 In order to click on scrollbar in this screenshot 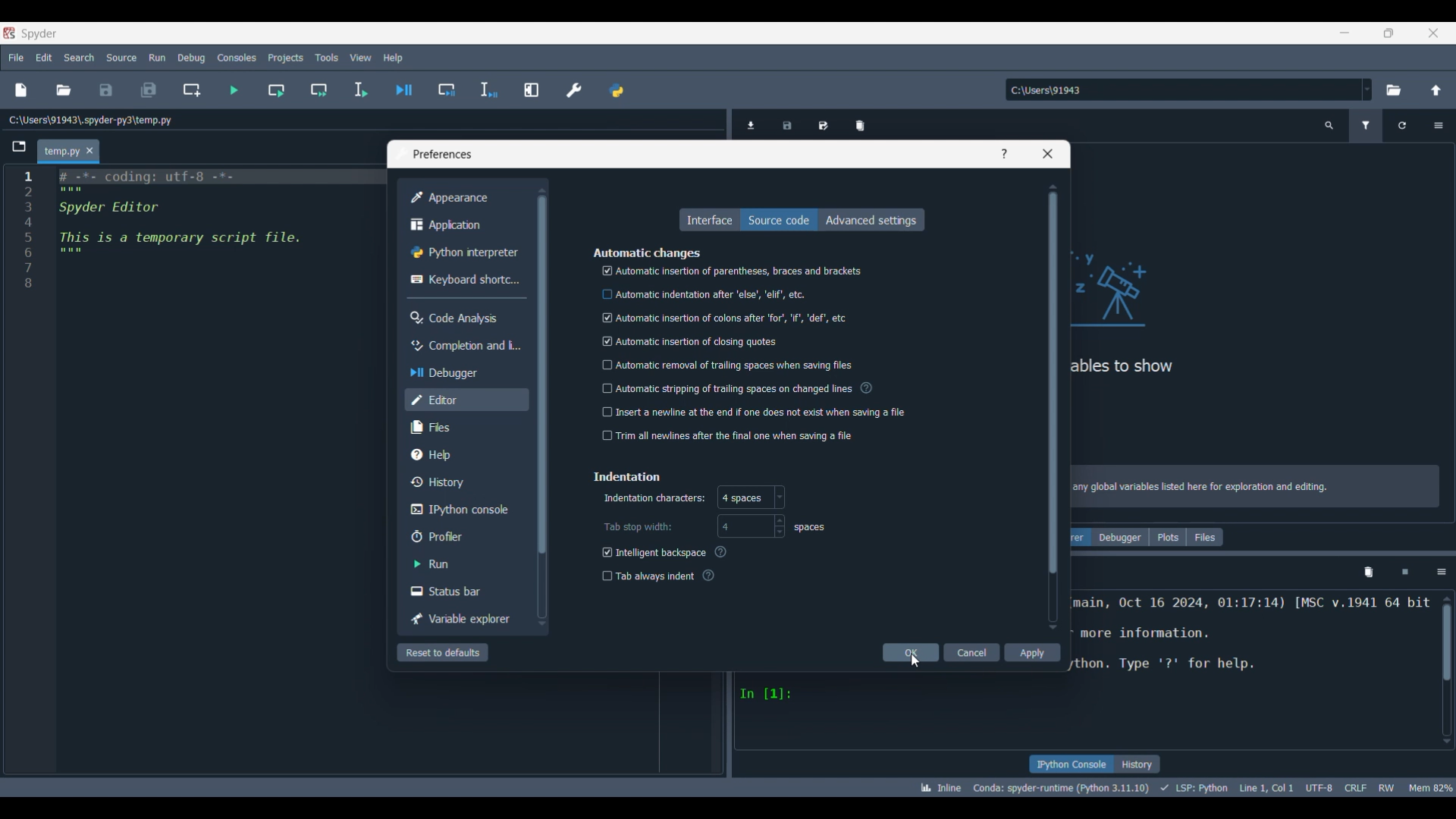, I will do `click(1448, 639)`.